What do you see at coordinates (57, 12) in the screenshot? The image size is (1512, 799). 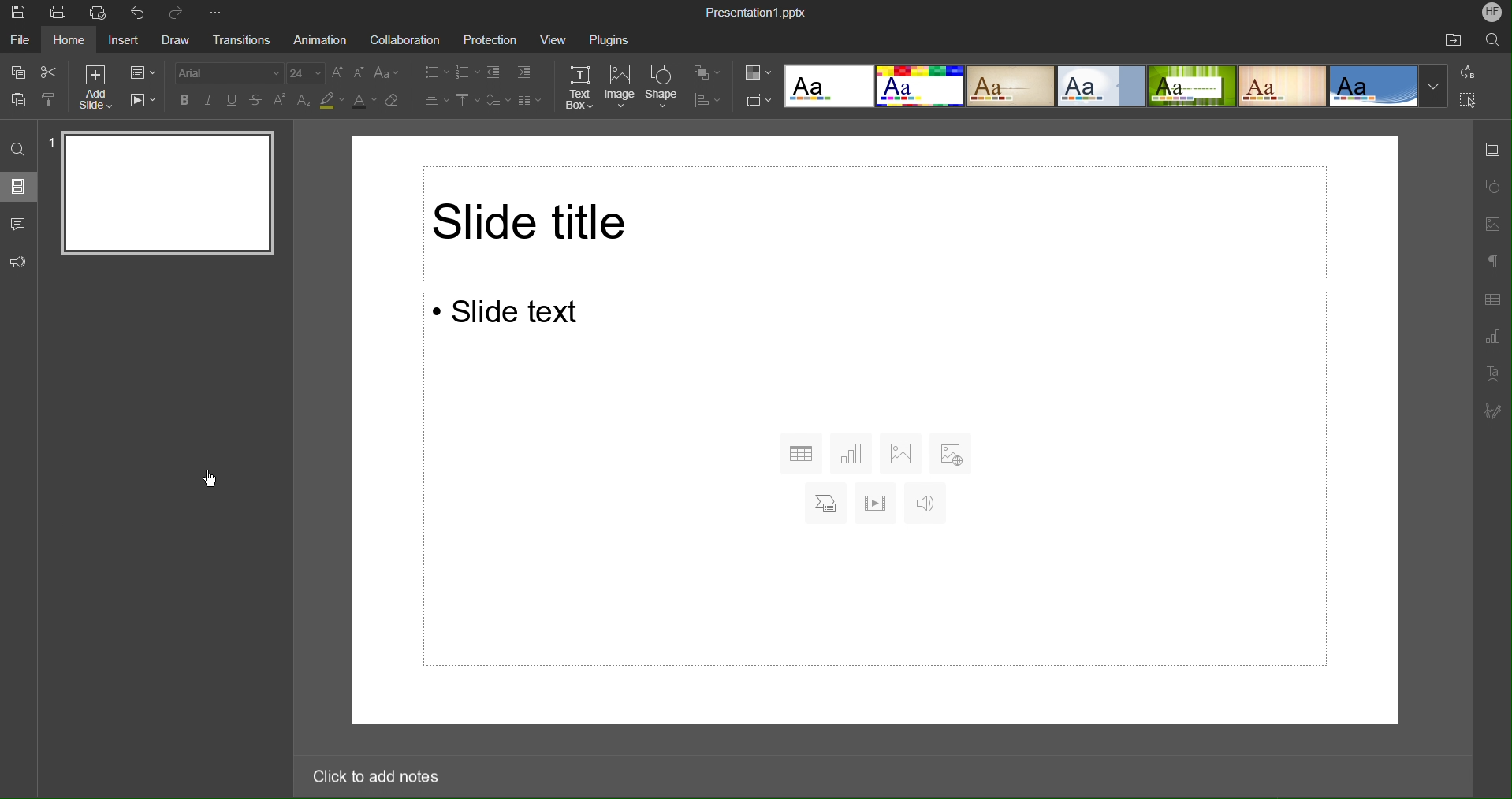 I see `Print` at bounding box center [57, 12].